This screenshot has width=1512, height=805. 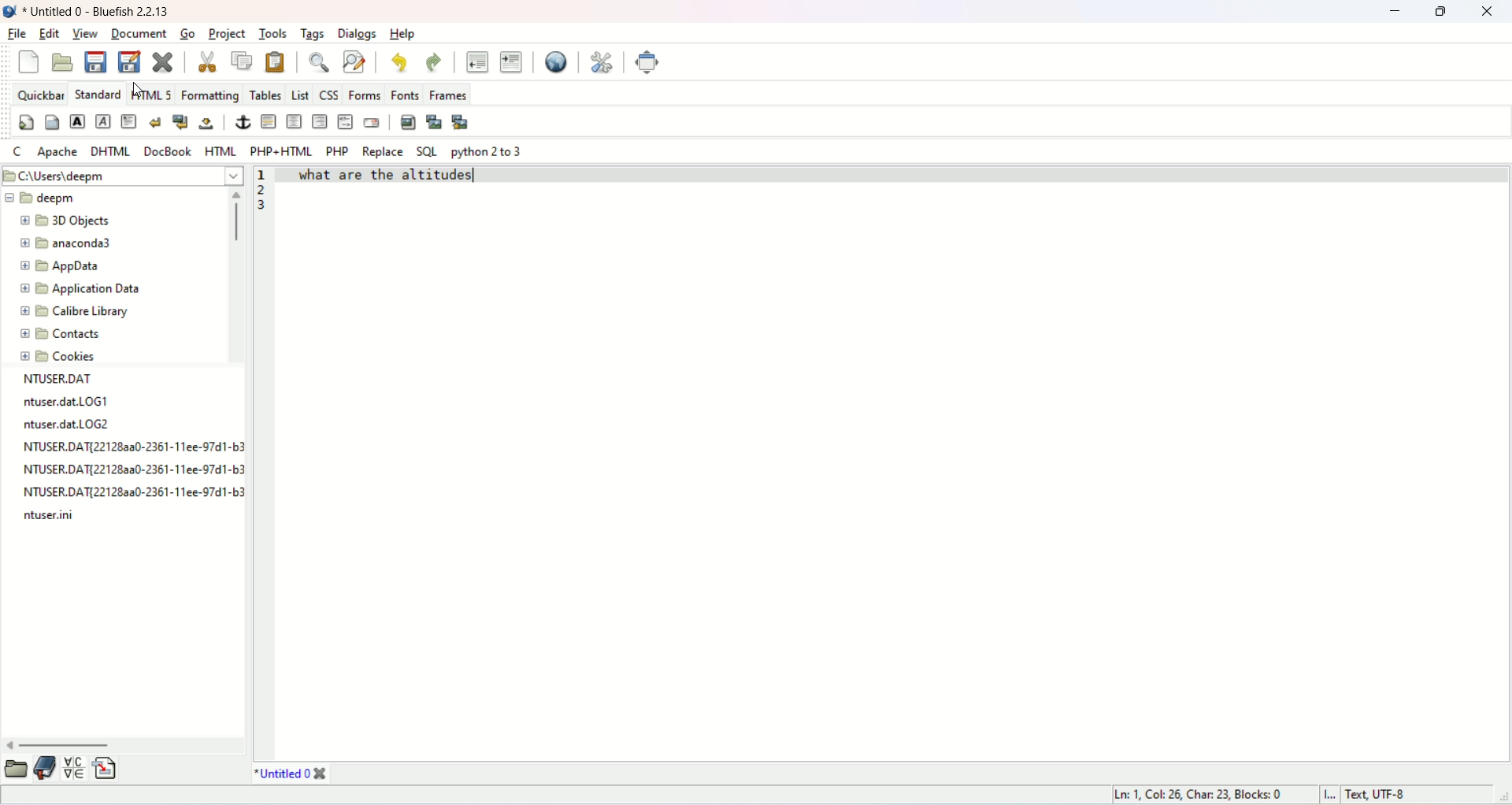 What do you see at coordinates (403, 34) in the screenshot?
I see `help` at bounding box center [403, 34].